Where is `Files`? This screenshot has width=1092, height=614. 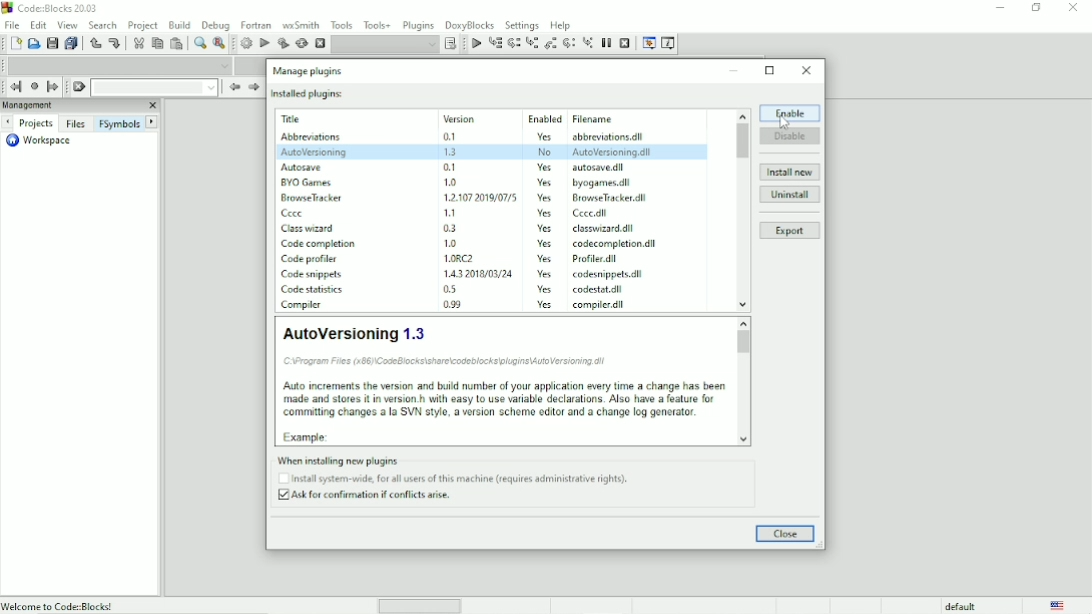 Files is located at coordinates (77, 123).